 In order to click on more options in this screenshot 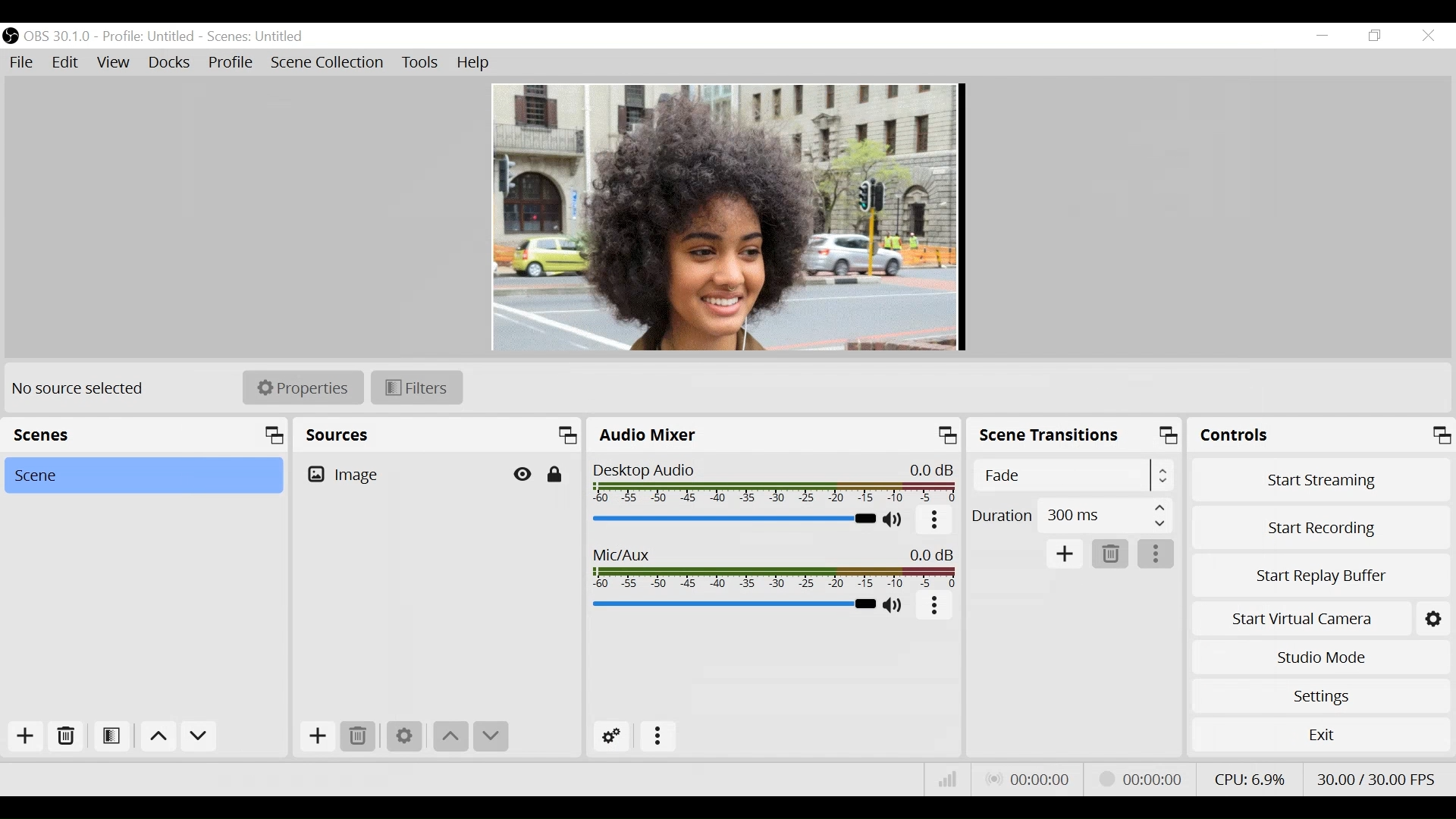, I will do `click(935, 606)`.